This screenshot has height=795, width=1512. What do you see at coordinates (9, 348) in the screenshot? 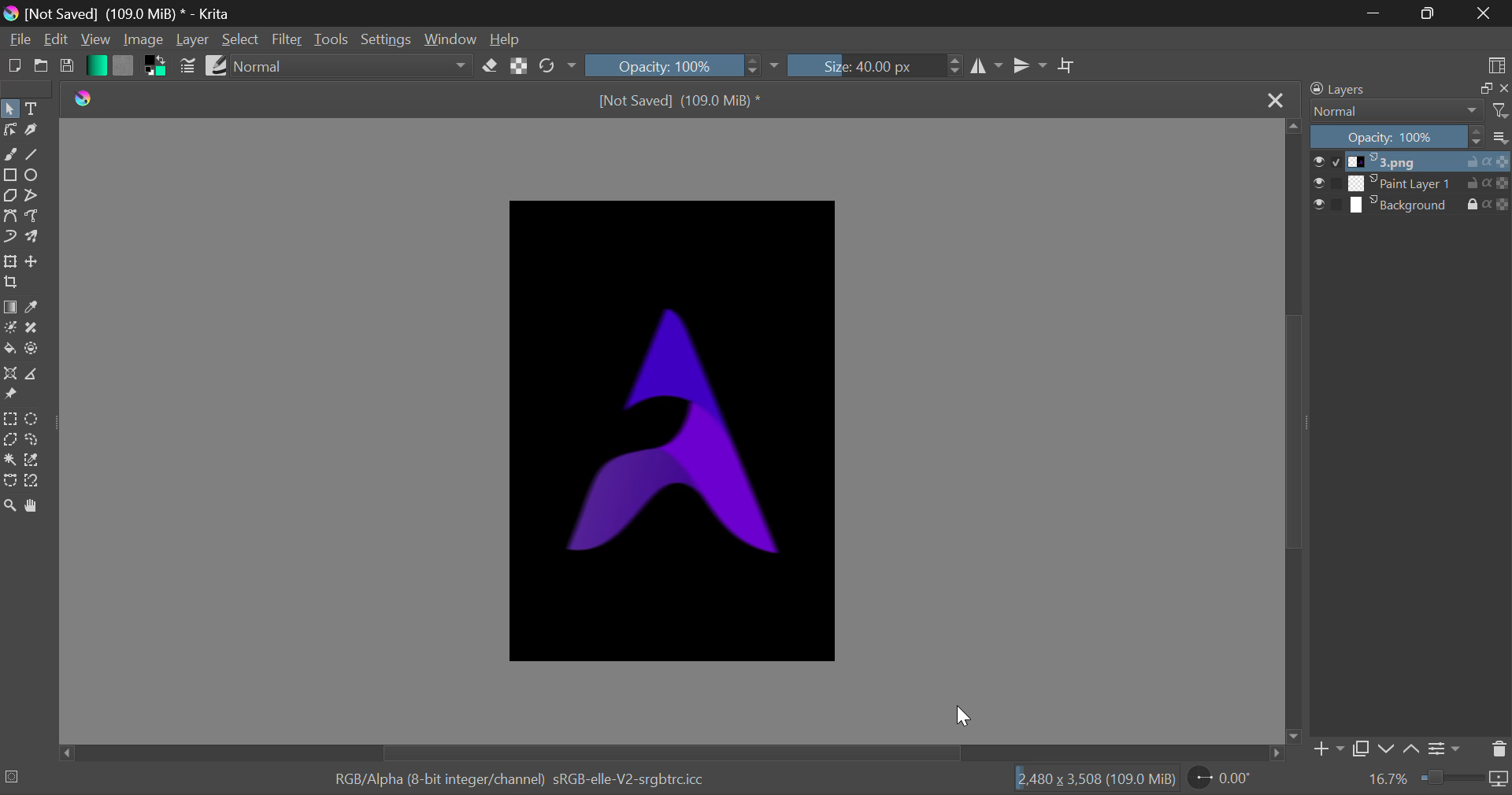
I see `Fill` at bounding box center [9, 348].